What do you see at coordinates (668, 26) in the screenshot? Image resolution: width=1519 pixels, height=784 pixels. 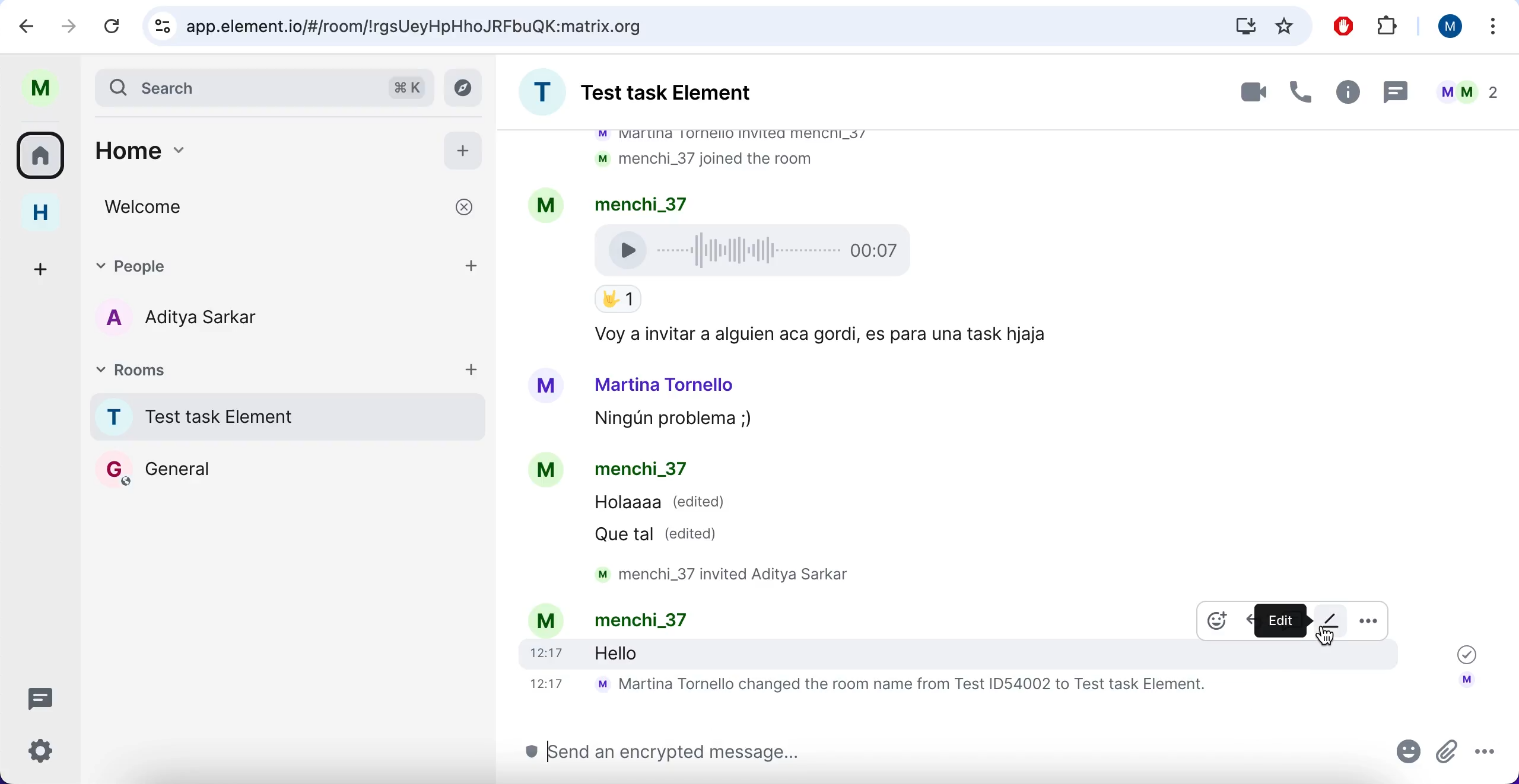 I see `search bar` at bounding box center [668, 26].